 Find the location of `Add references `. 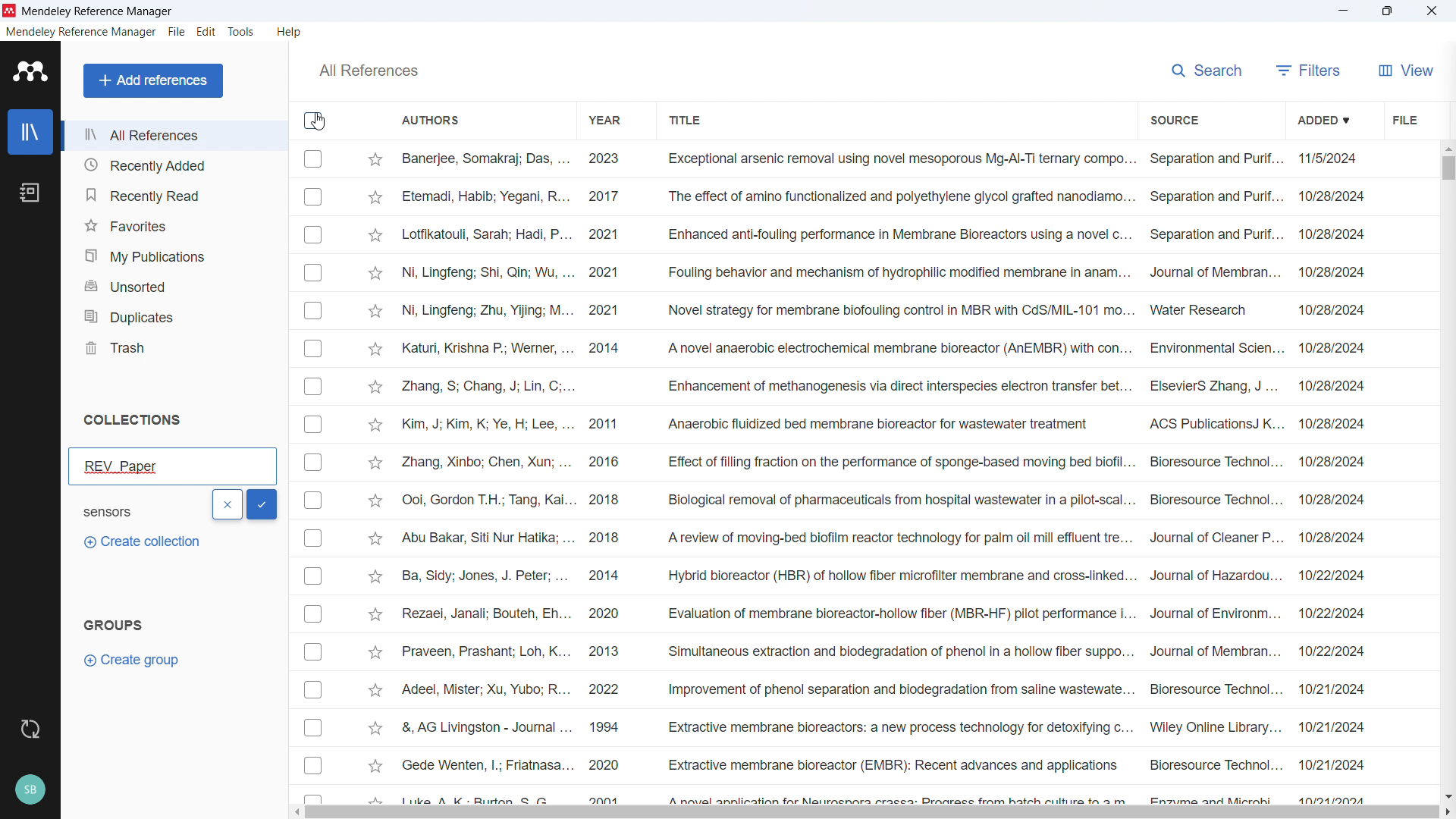

Add references  is located at coordinates (152, 80).